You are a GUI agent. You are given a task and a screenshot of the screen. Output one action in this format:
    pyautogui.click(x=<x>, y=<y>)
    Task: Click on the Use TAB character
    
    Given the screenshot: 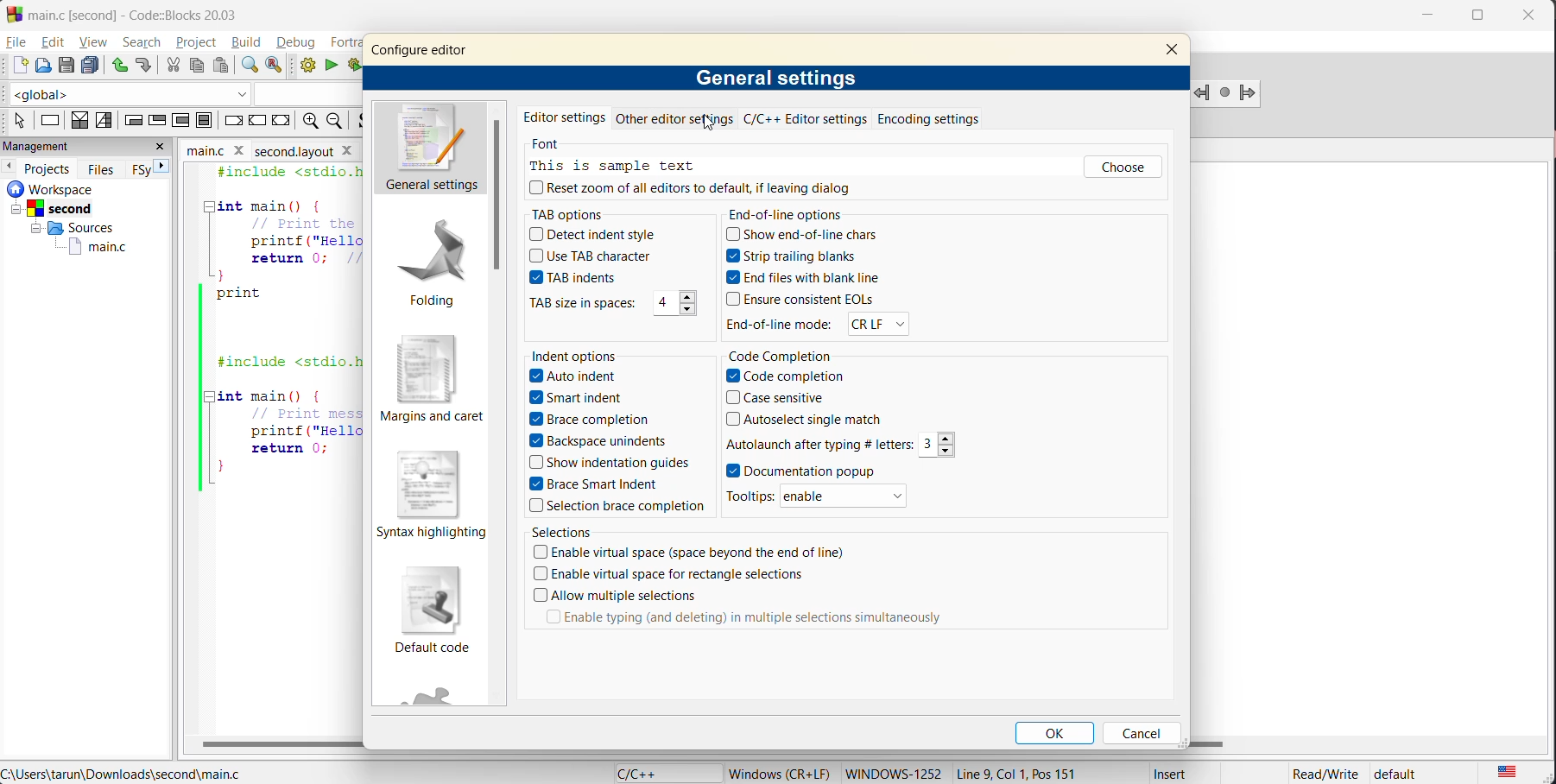 What is the action you would take?
    pyautogui.click(x=588, y=257)
    